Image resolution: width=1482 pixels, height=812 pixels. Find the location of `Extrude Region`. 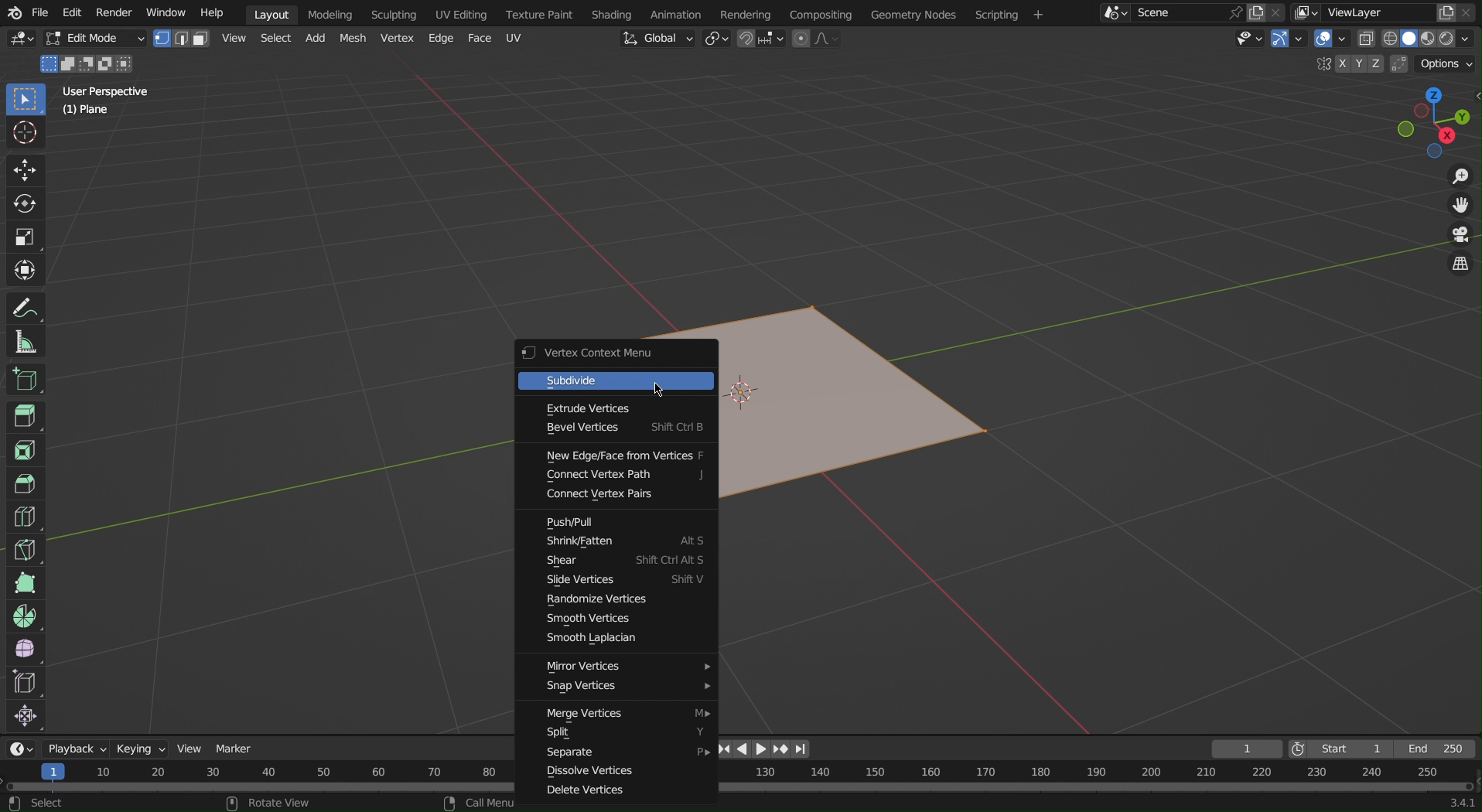

Extrude Region is located at coordinates (27, 418).